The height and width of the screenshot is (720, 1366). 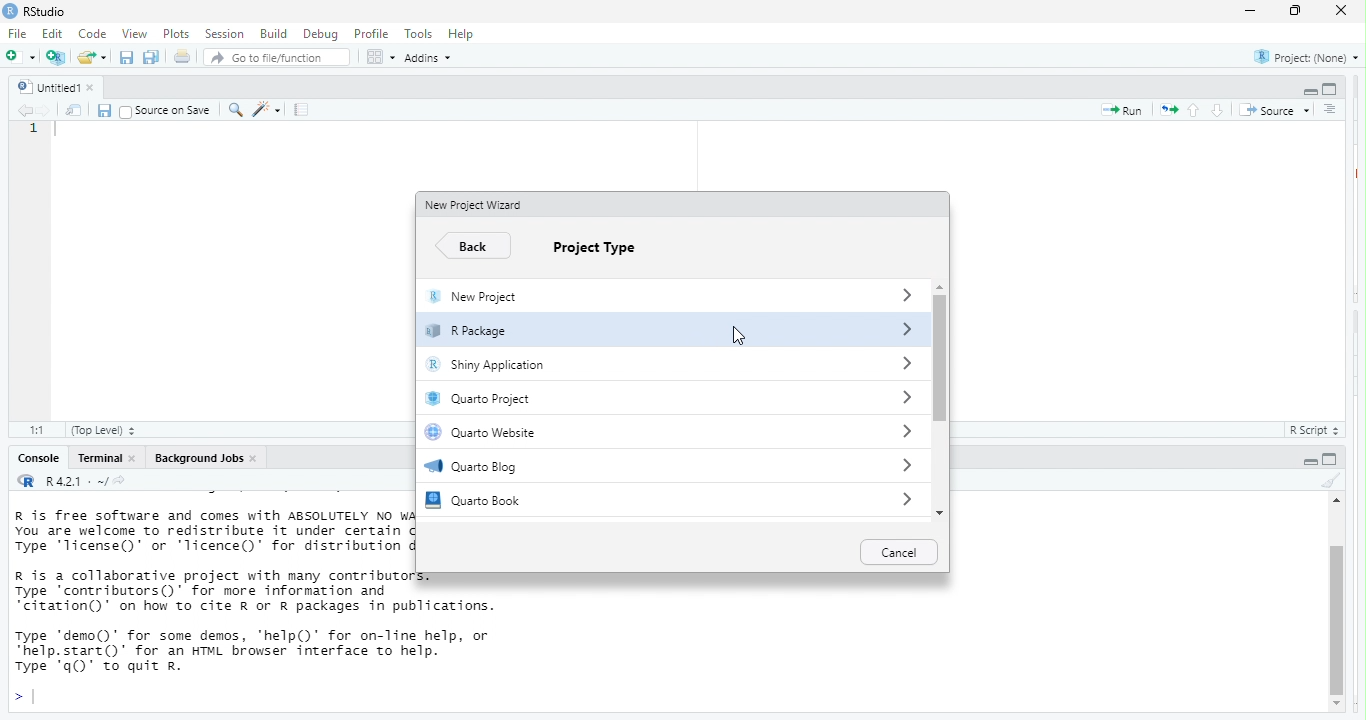 What do you see at coordinates (45, 85) in the screenshot?
I see ` Untitled1` at bounding box center [45, 85].